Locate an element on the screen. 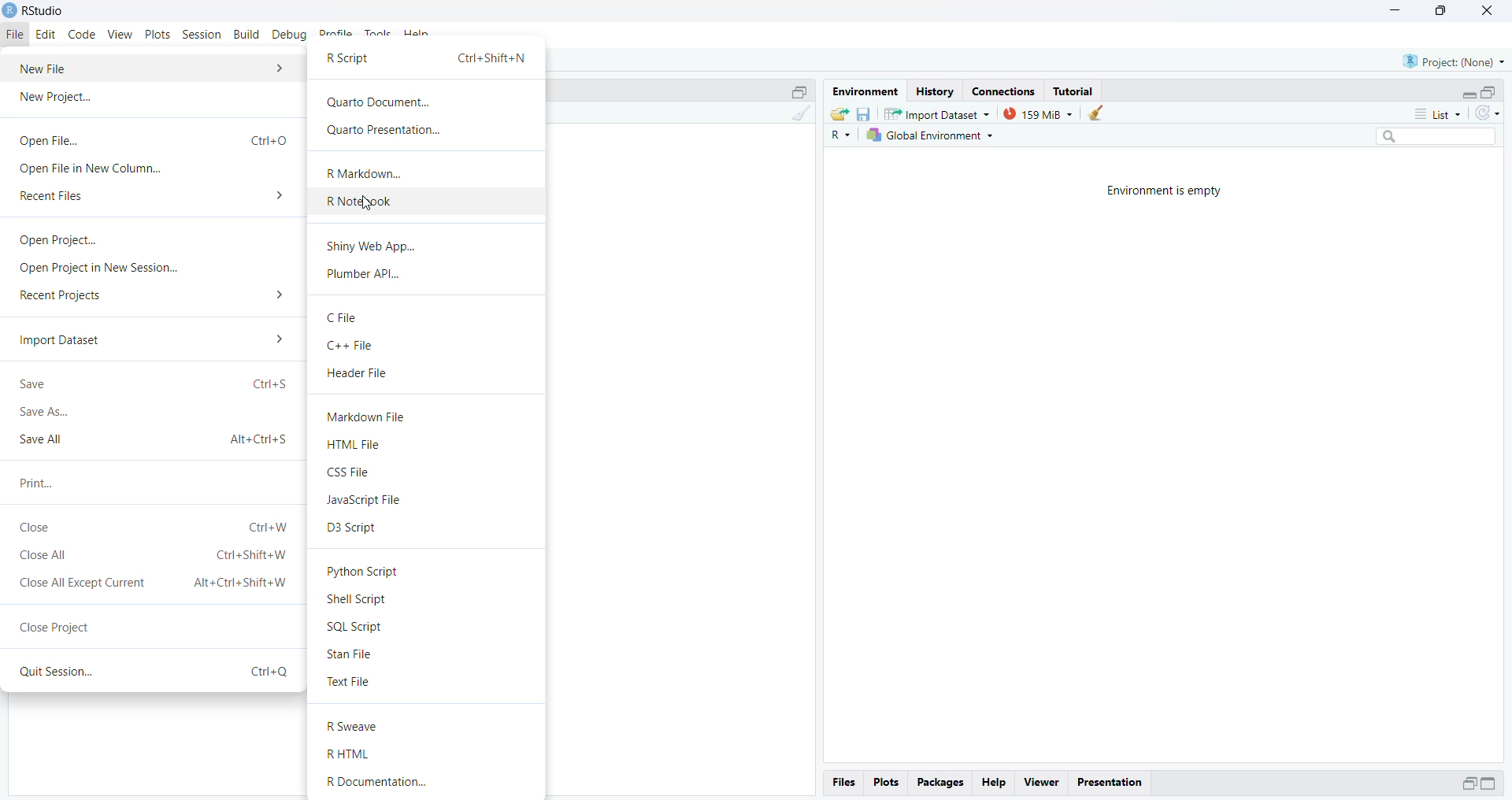 The height and width of the screenshot is (800, 1512). R script ctrl+shift+N is located at coordinates (427, 60).